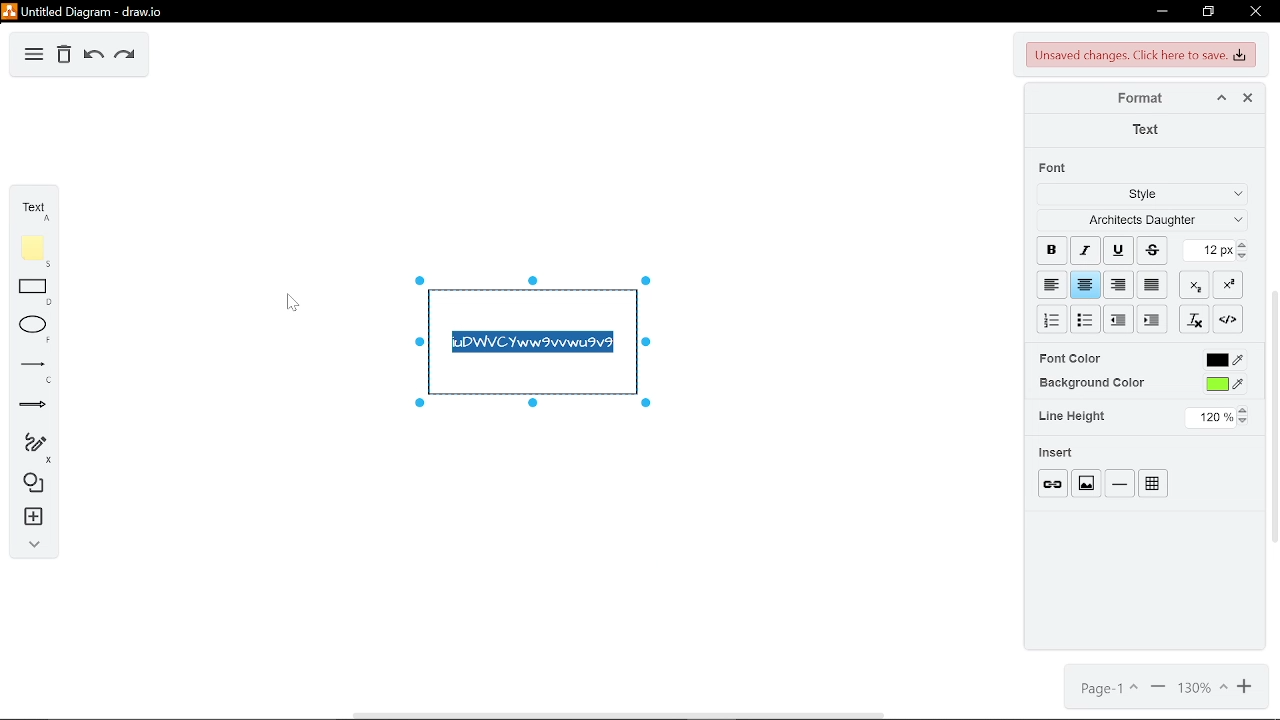  I want to click on page1, so click(1107, 689).